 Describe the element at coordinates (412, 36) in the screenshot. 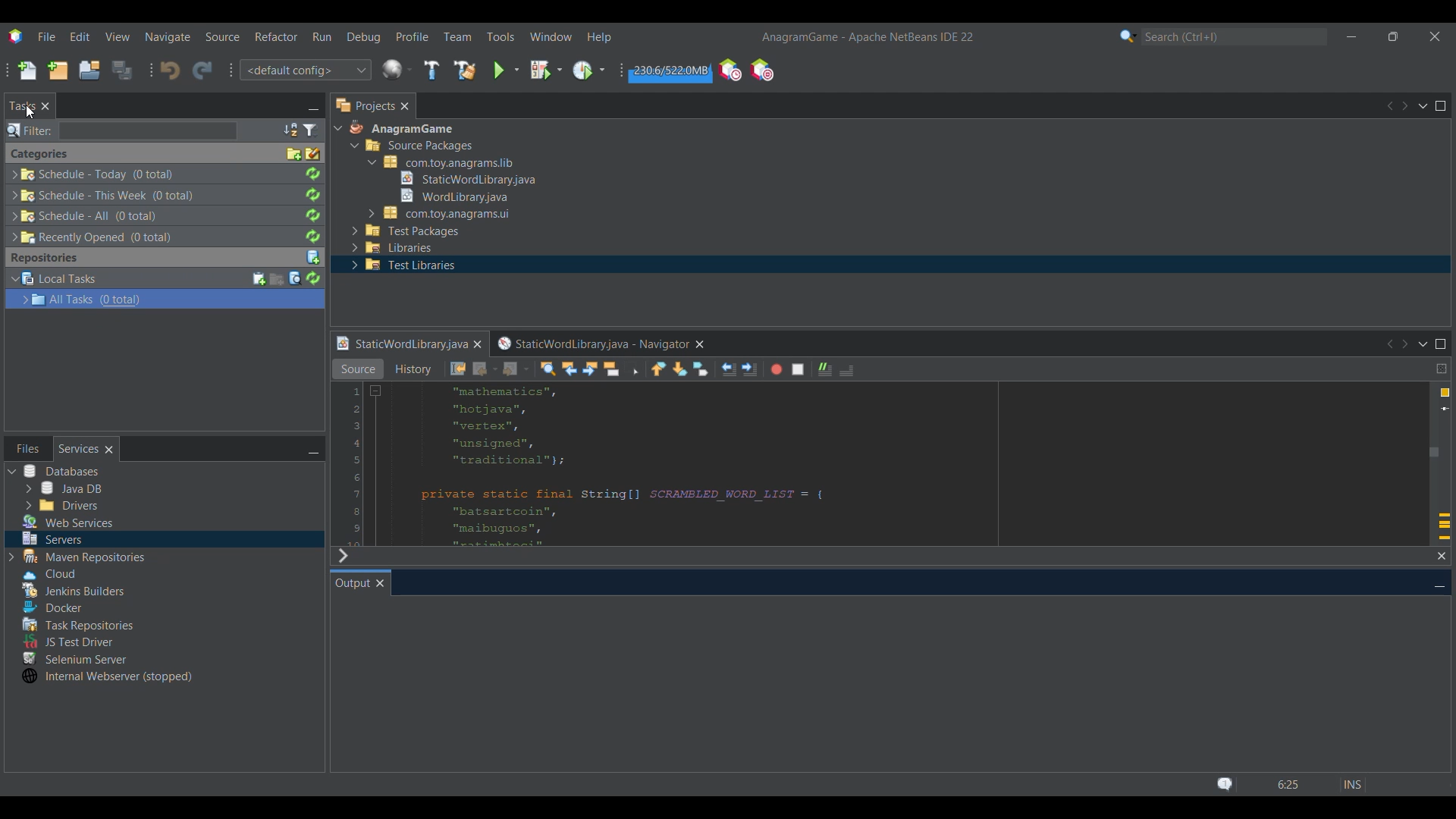

I see `Profile menu` at that location.